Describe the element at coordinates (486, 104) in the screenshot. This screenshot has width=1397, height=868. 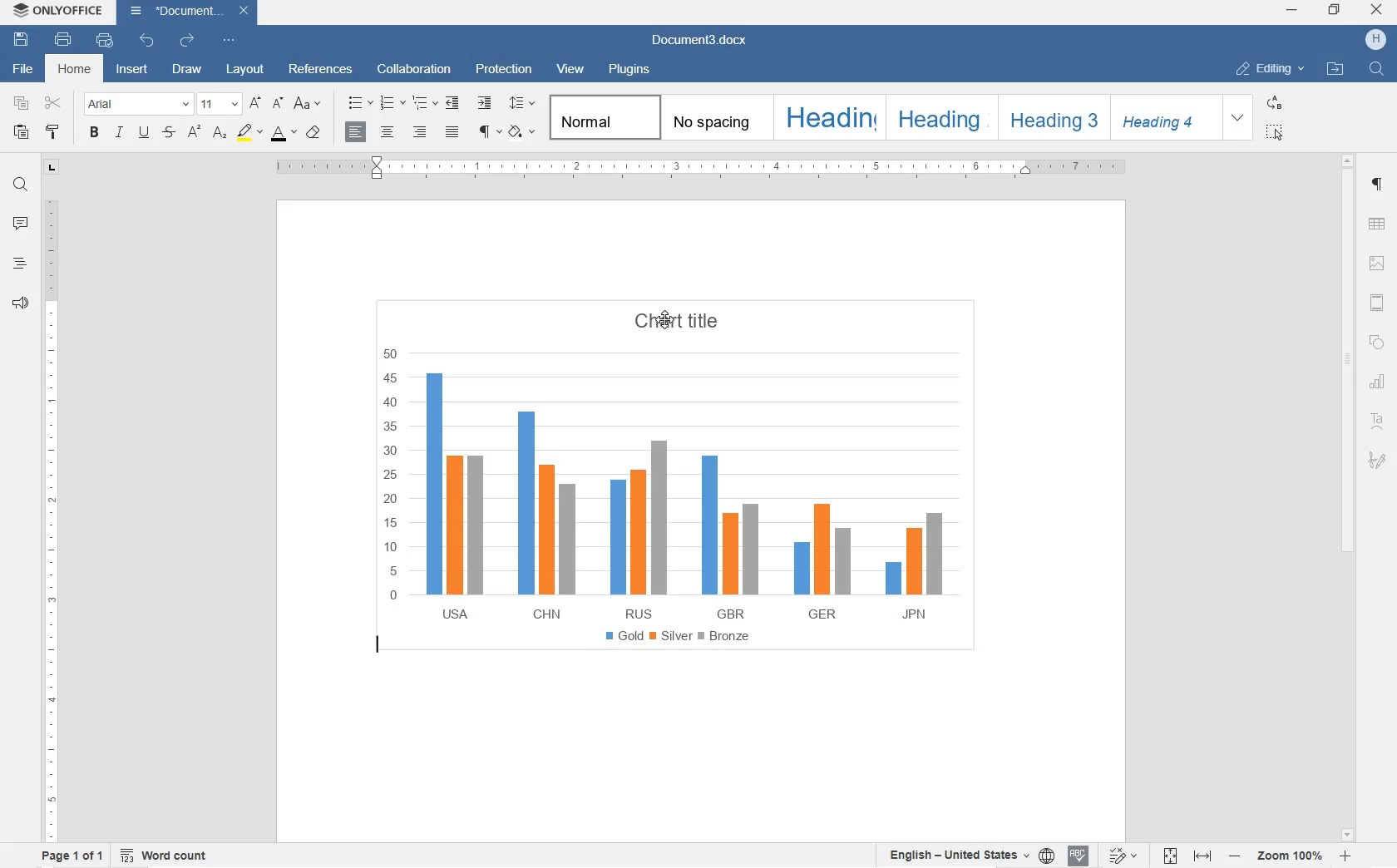
I see `INCREASE INDENT` at that location.